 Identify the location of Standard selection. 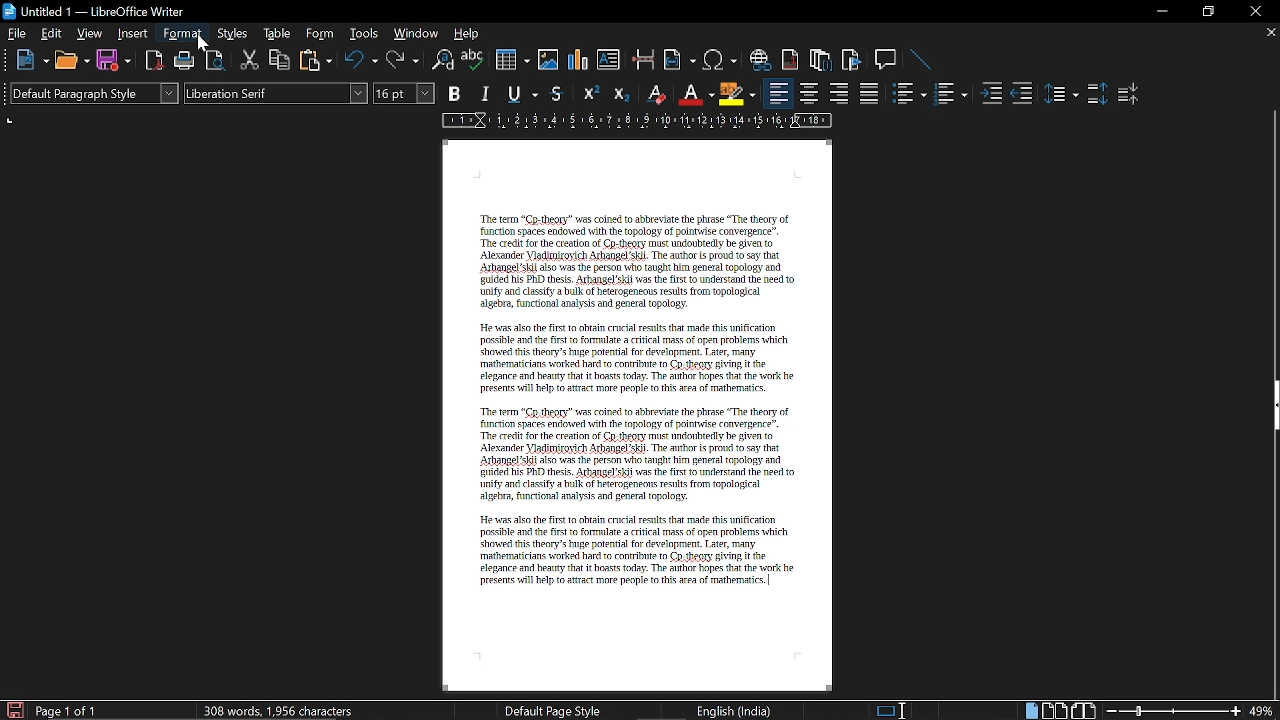
(893, 710).